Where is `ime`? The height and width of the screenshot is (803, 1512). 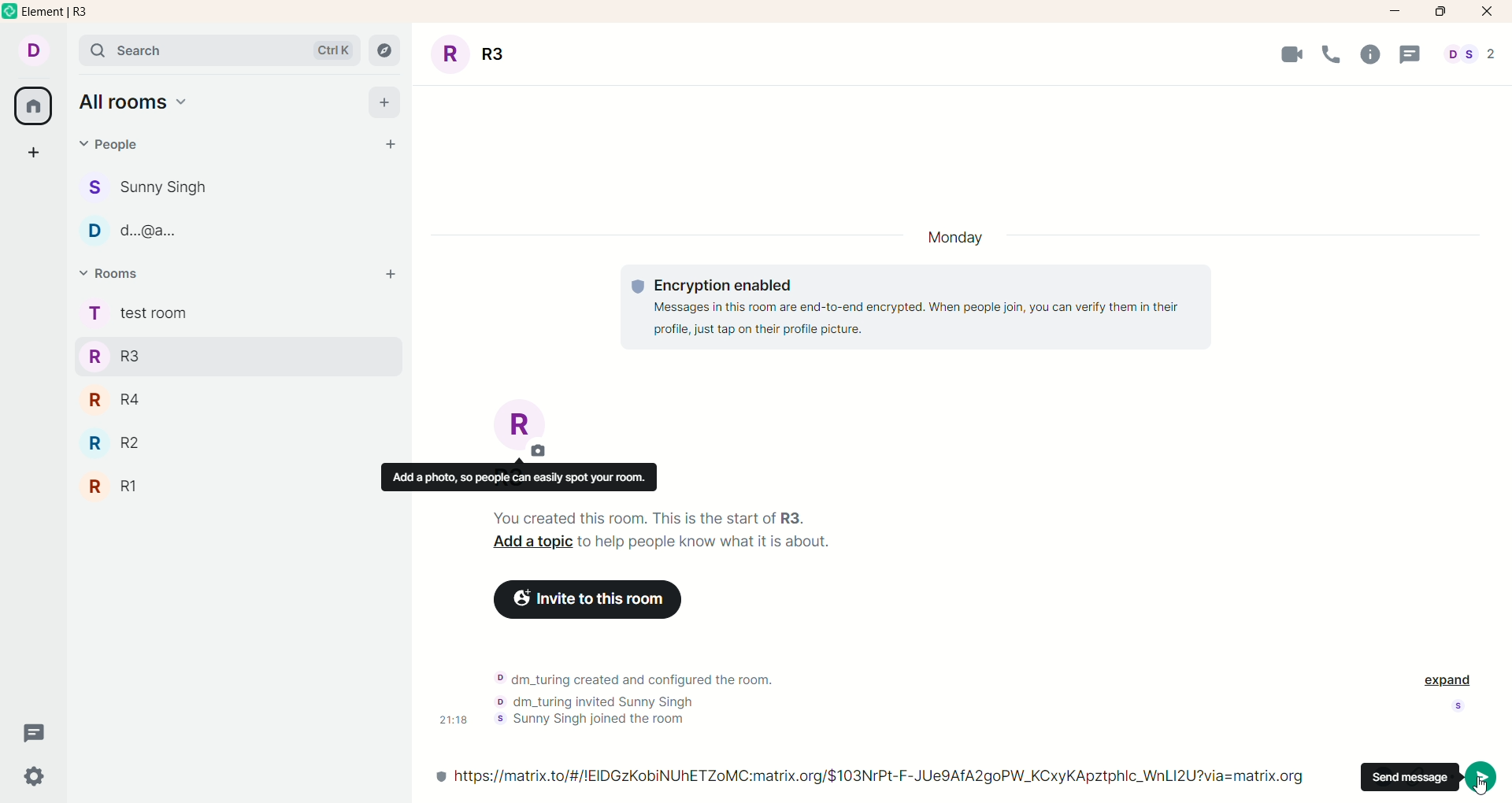 ime is located at coordinates (451, 722).